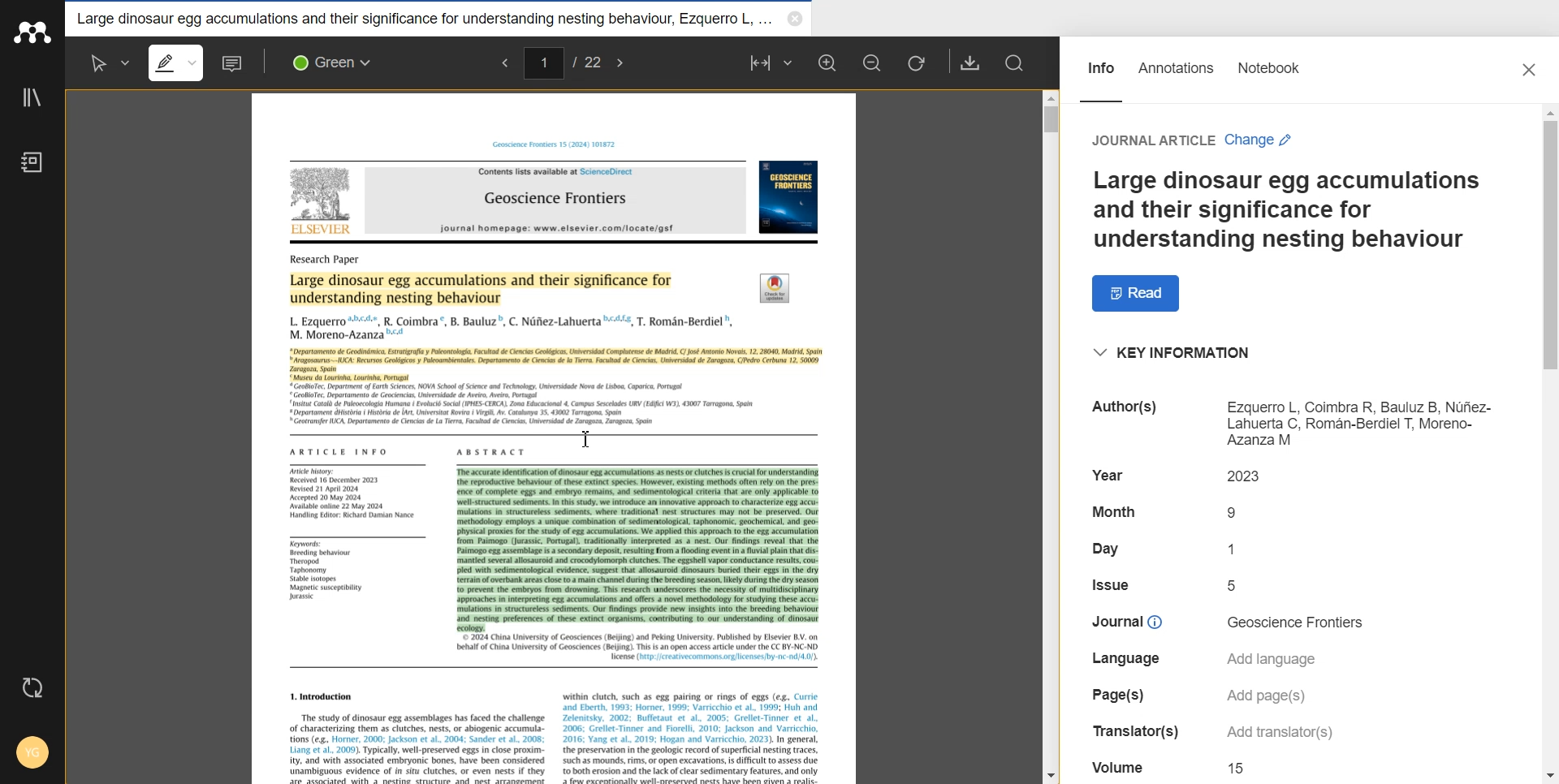 The height and width of the screenshot is (784, 1559). I want to click on text, so click(339, 450).